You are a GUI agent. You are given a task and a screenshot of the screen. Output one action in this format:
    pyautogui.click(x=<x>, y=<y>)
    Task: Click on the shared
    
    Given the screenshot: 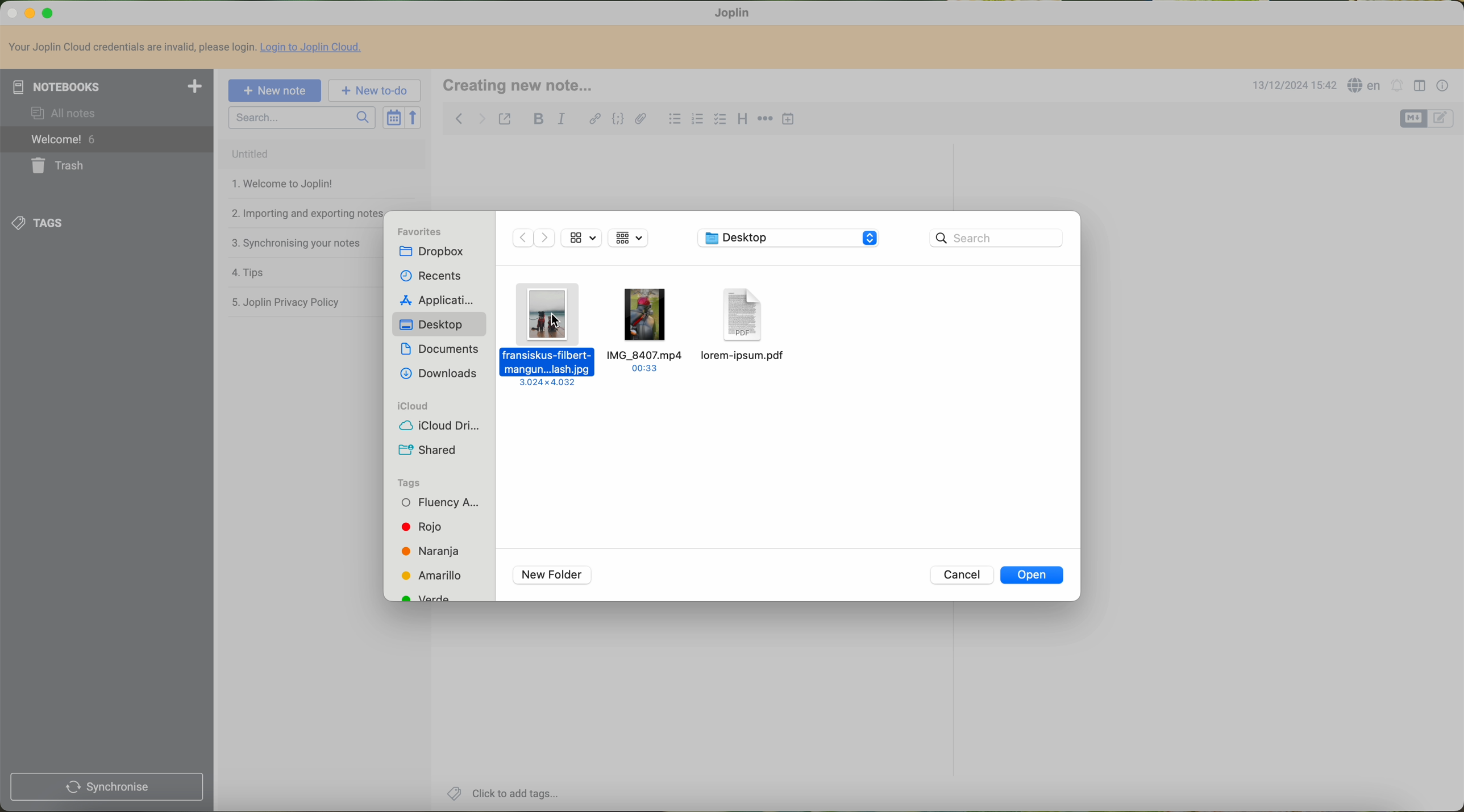 What is the action you would take?
    pyautogui.click(x=427, y=451)
    